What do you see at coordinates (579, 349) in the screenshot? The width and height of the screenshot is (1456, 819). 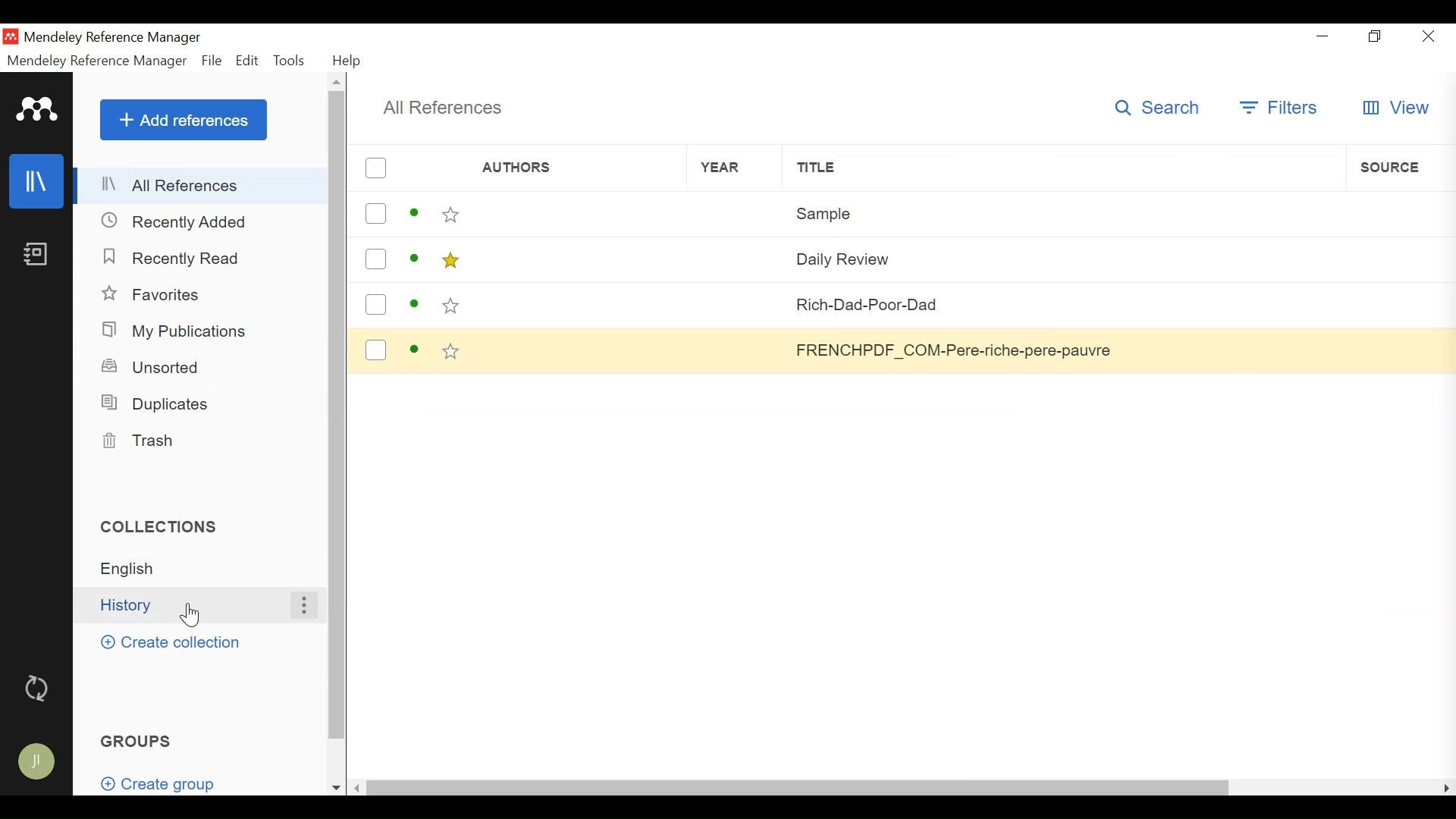 I see `Authors` at bounding box center [579, 349].